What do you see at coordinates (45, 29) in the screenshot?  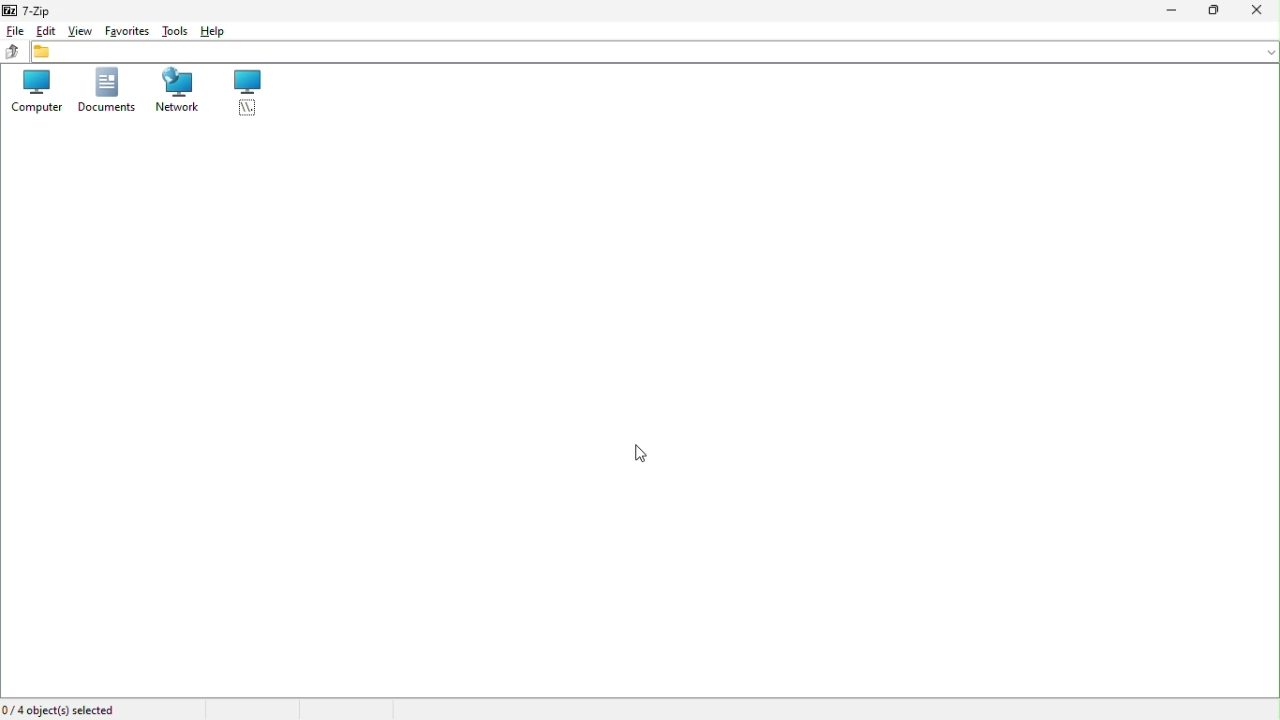 I see `edit` at bounding box center [45, 29].